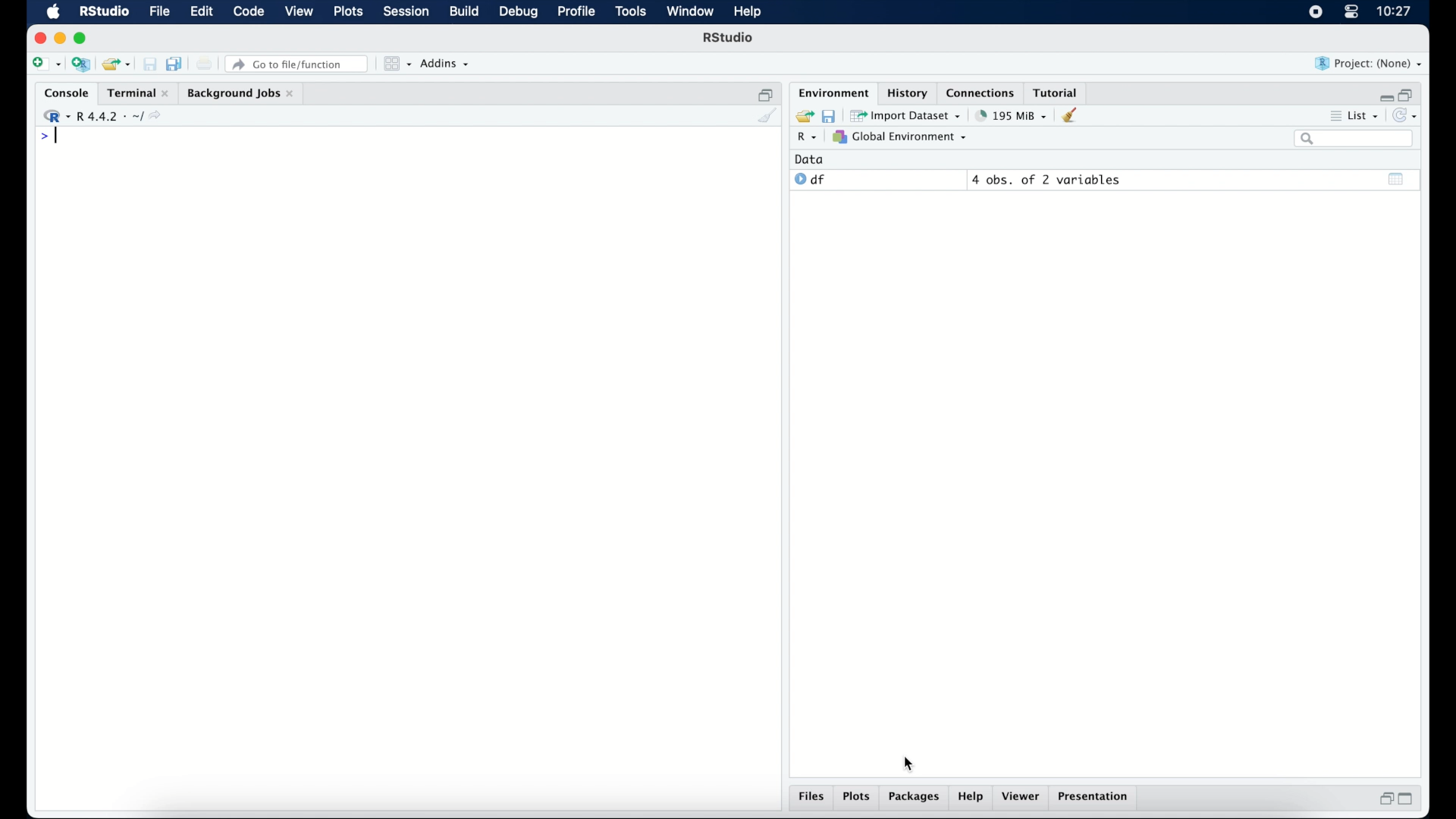  What do you see at coordinates (1409, 93) in the screenshot?
I see `restore down` at bounding box center [1409, 93].